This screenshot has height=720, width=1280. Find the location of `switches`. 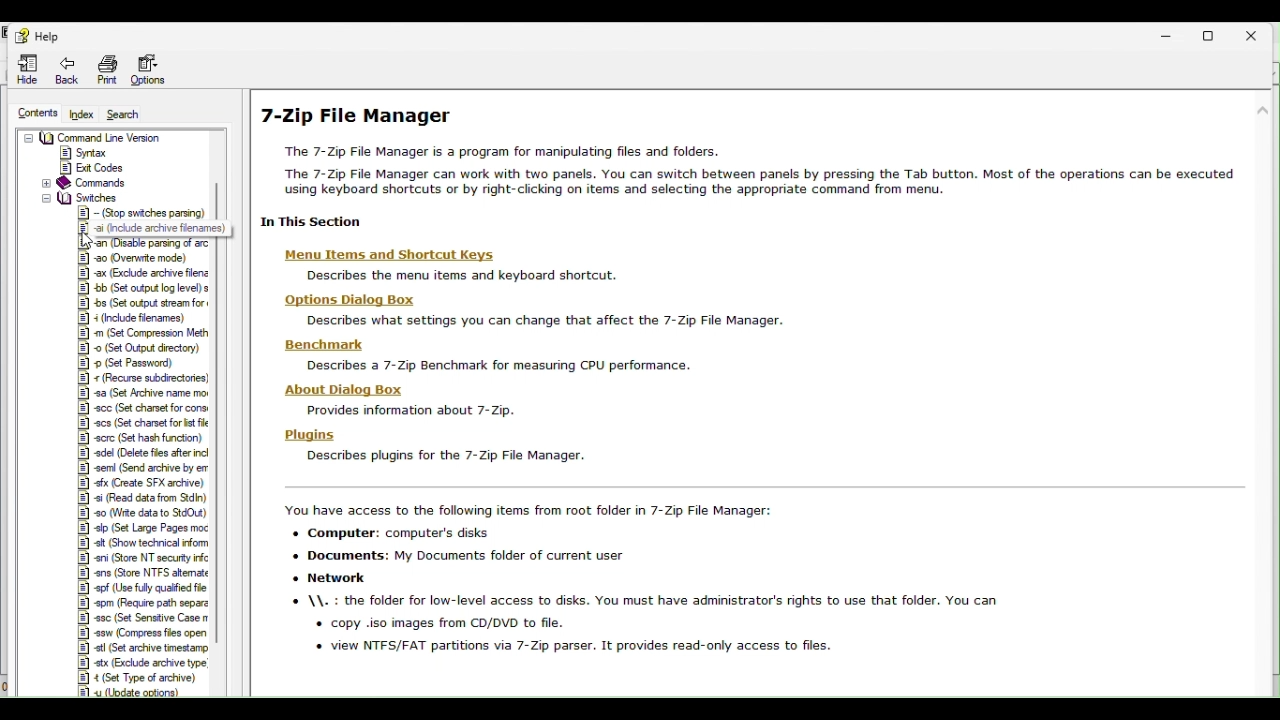

switches is located at coordinates (86, 199).